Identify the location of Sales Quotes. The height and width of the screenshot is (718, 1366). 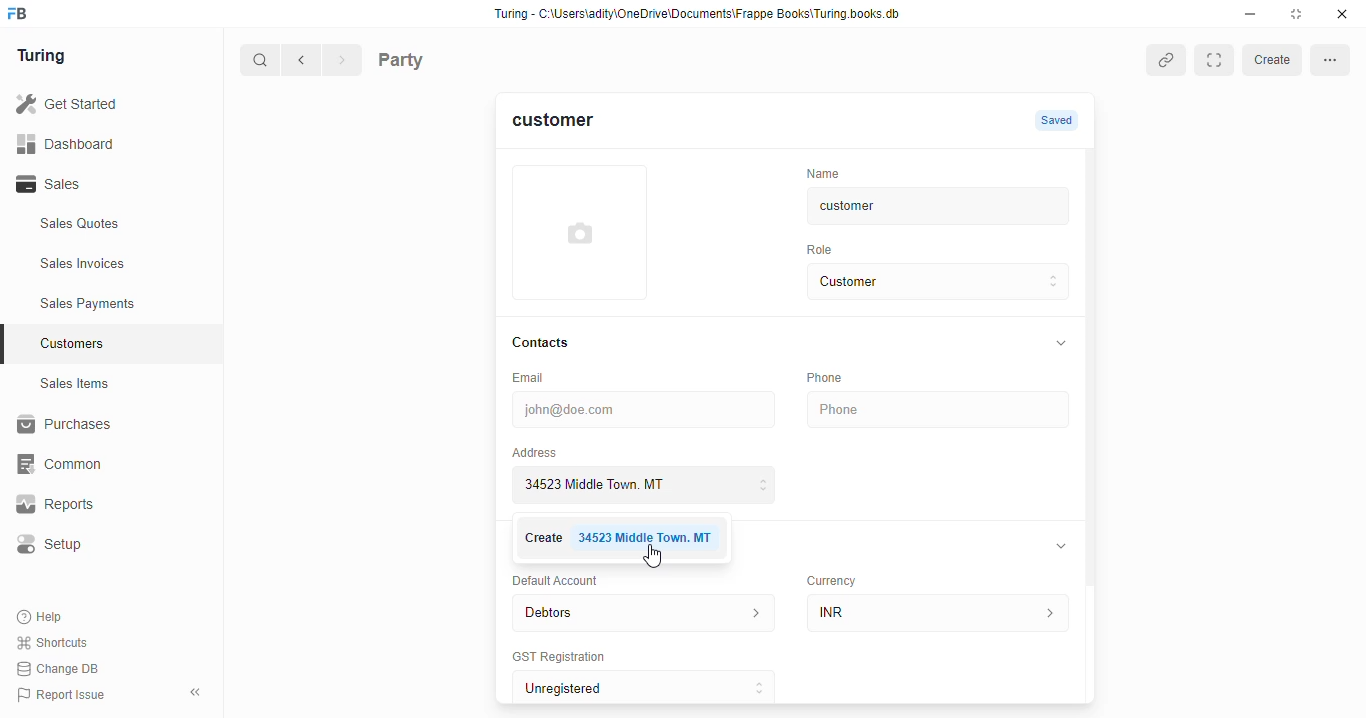
(107, 226).